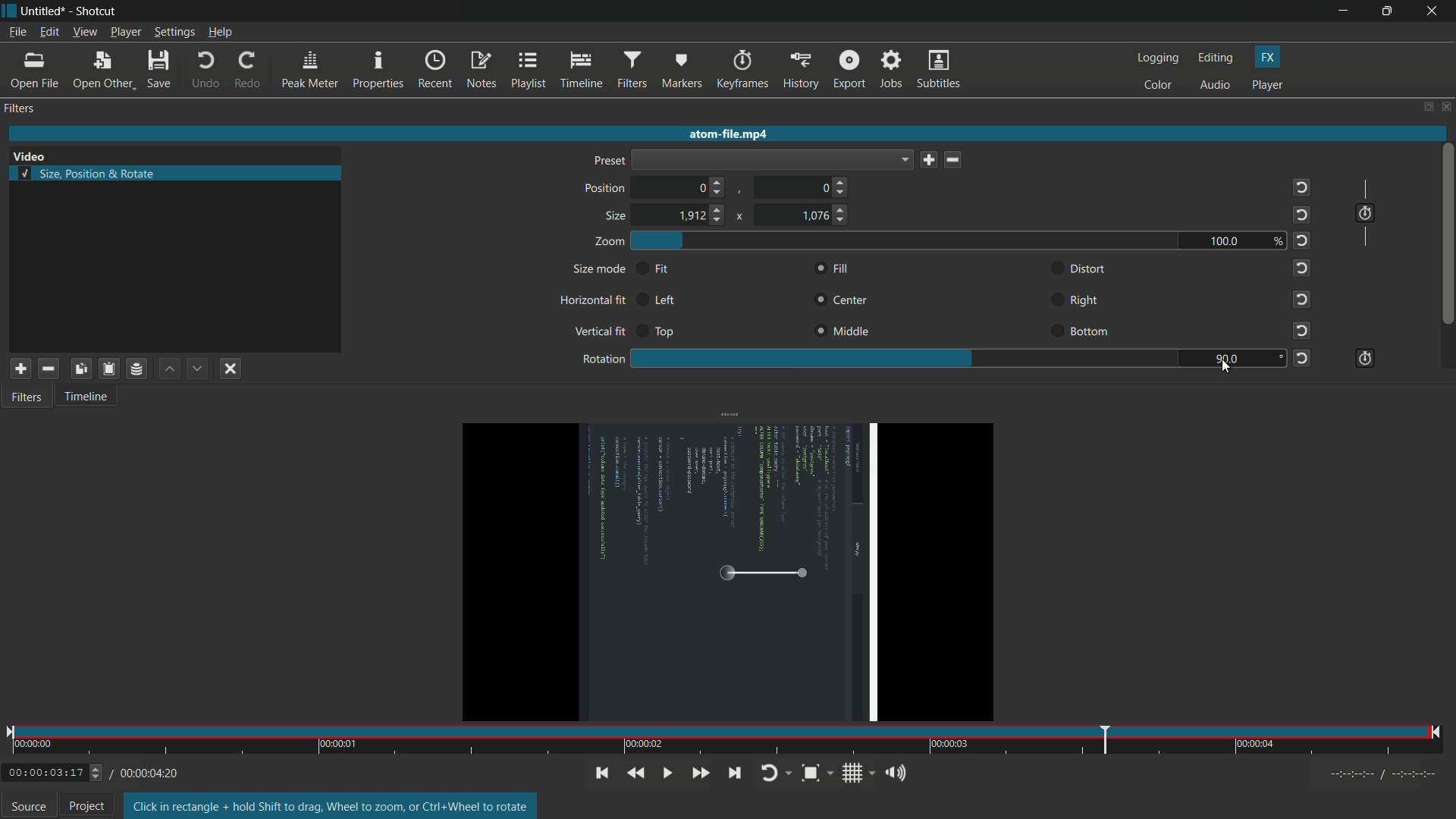 This screenshot has width=1456, height=819. What do you see at coordinates (248, 71) in the screenshot?
I see `redo` at bounding box center [248, 71].